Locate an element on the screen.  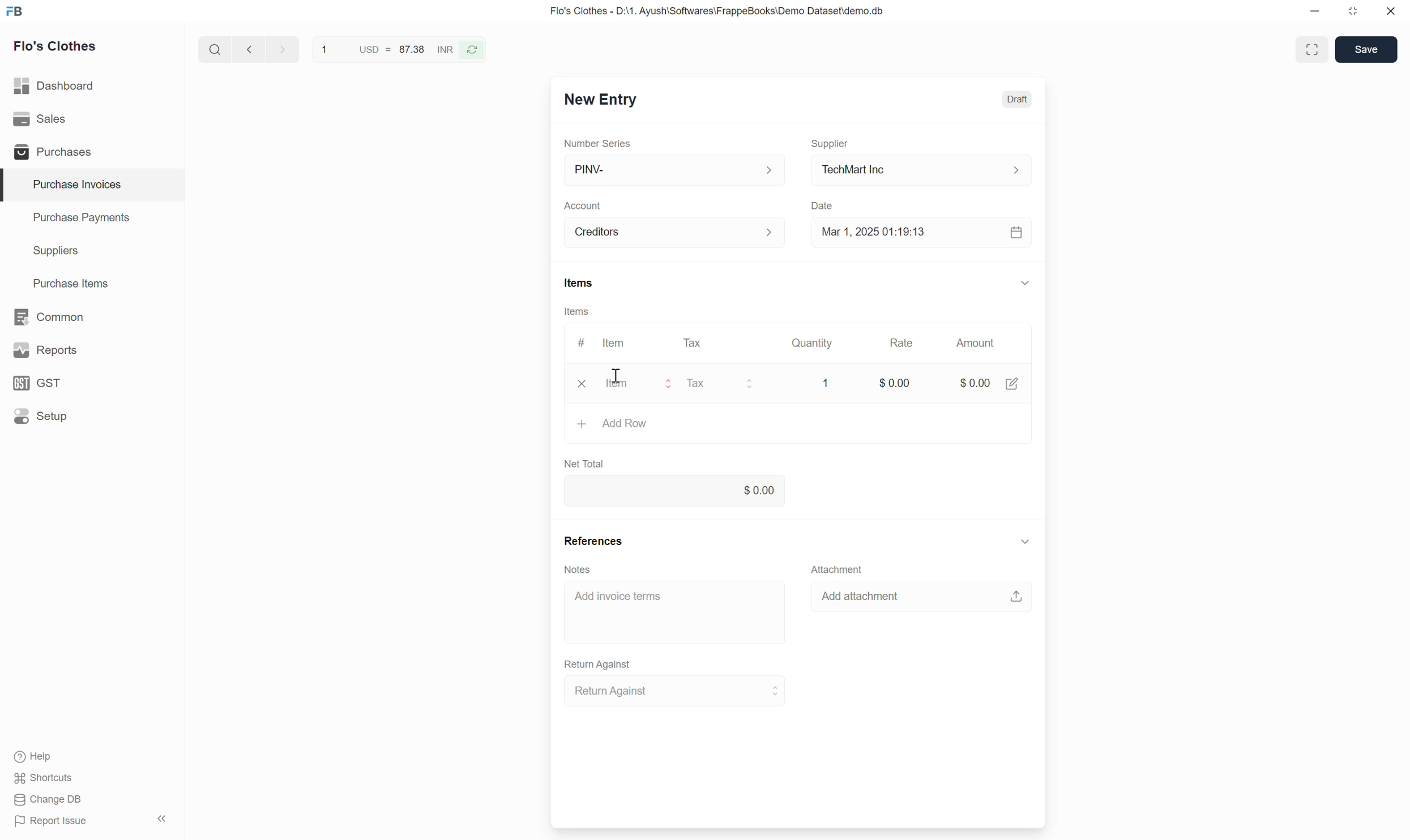
TechMart Inc. is located at coordinates (921, 169).